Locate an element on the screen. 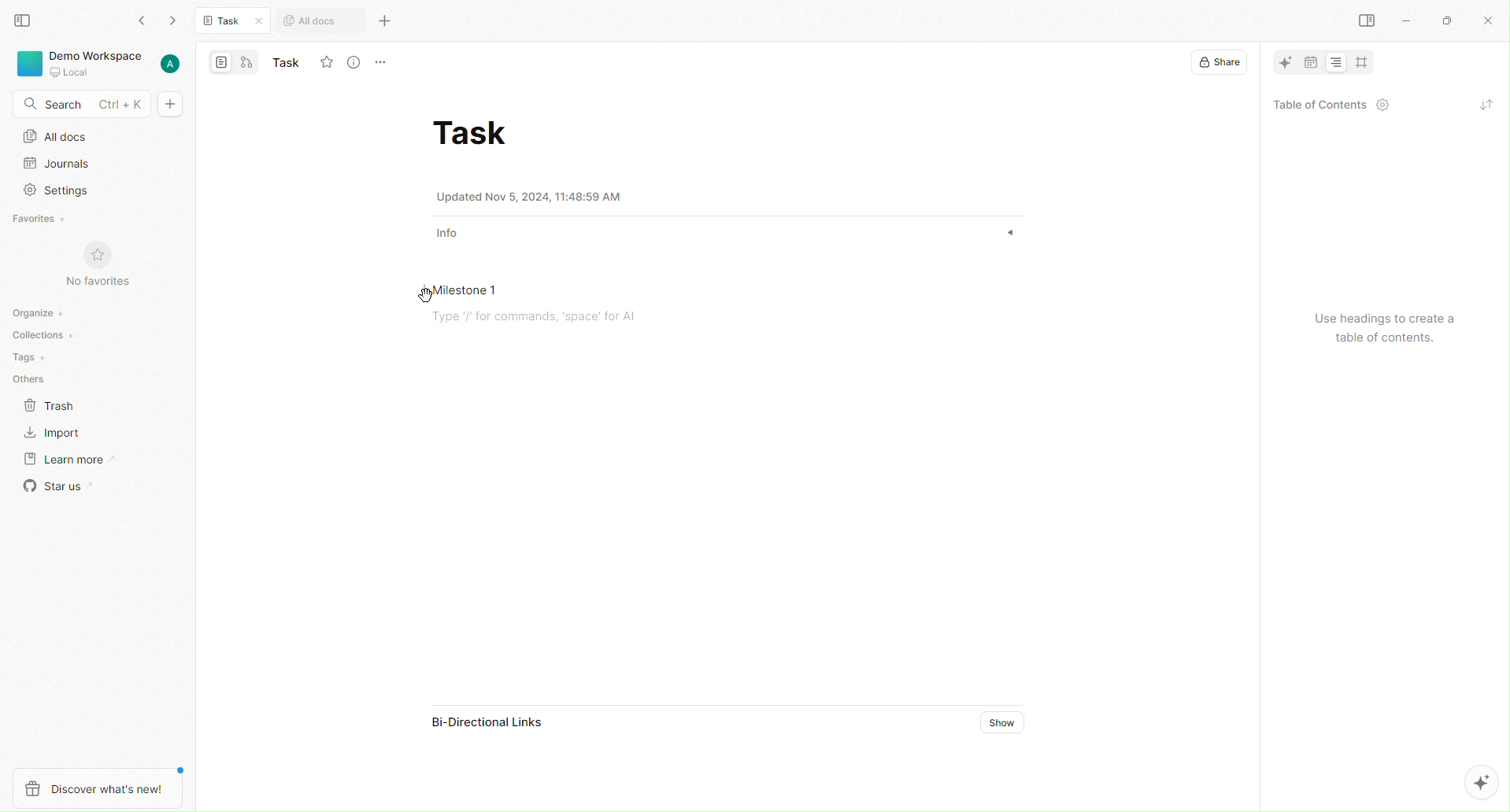 This screenshot has height=812, width=1510. minimize is located at coordinates (1408, 20).